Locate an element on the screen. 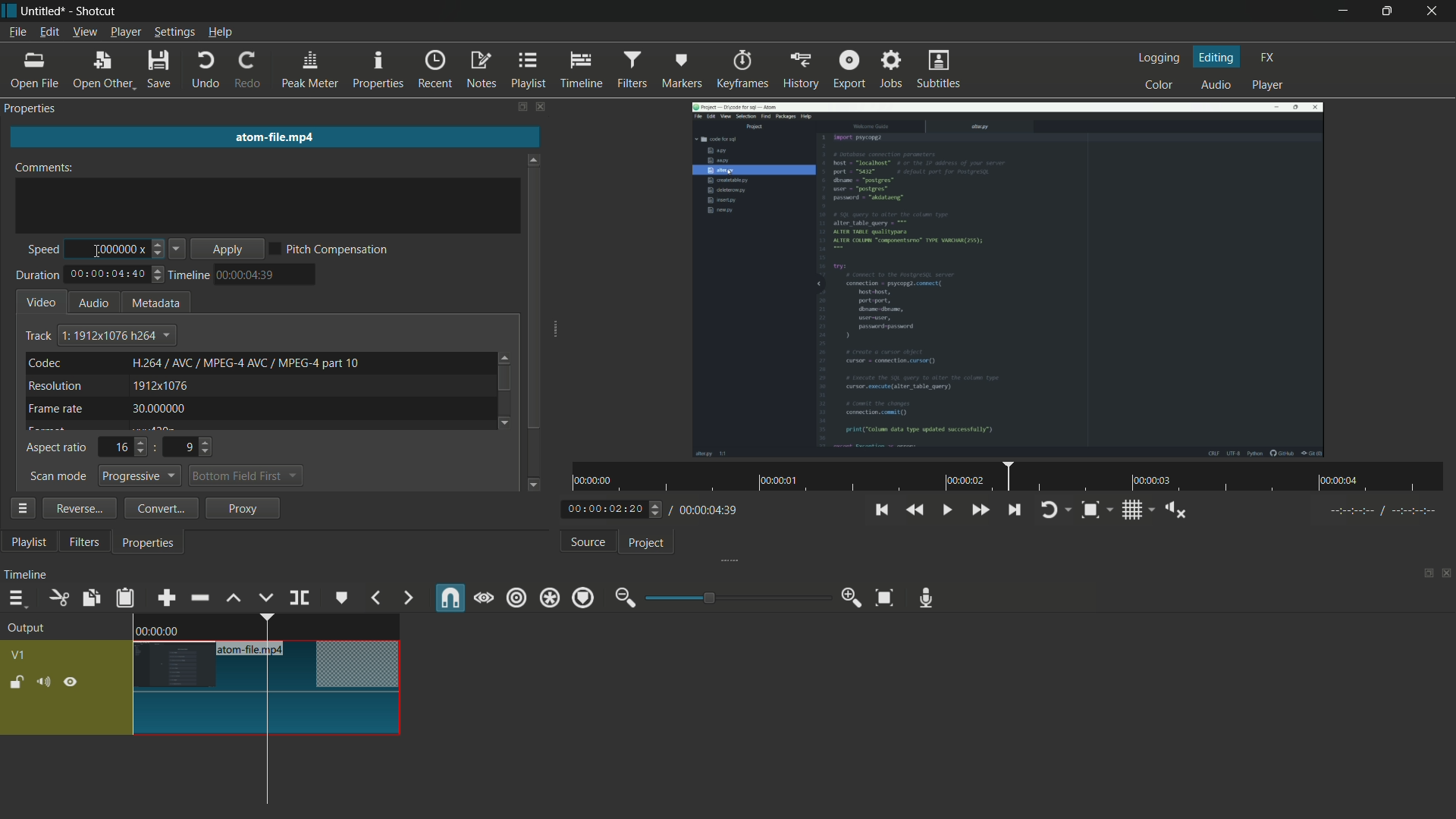  1912 is located at coordinates (161, 385).